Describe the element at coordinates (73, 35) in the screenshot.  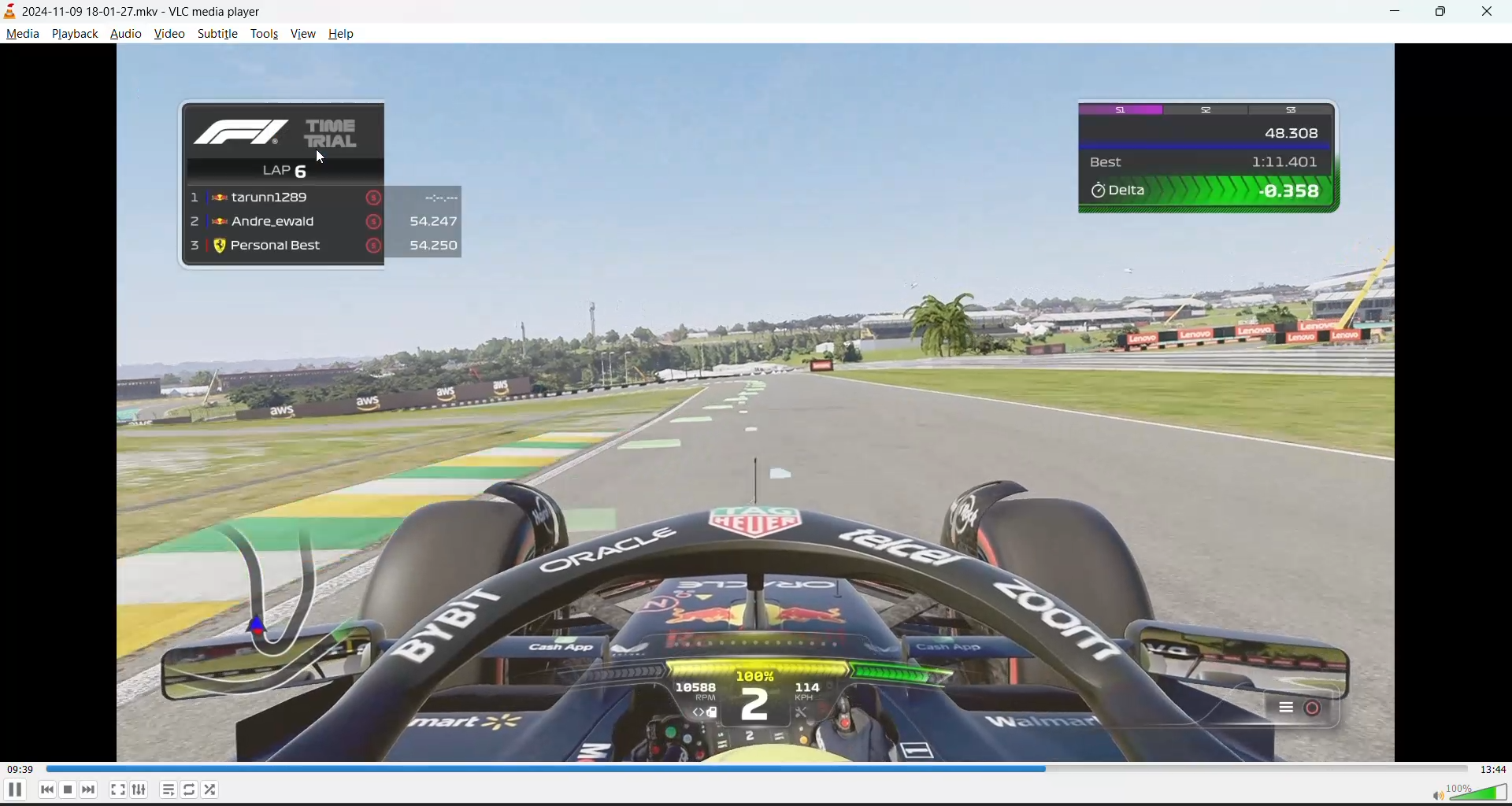
I see `playback` at that location.